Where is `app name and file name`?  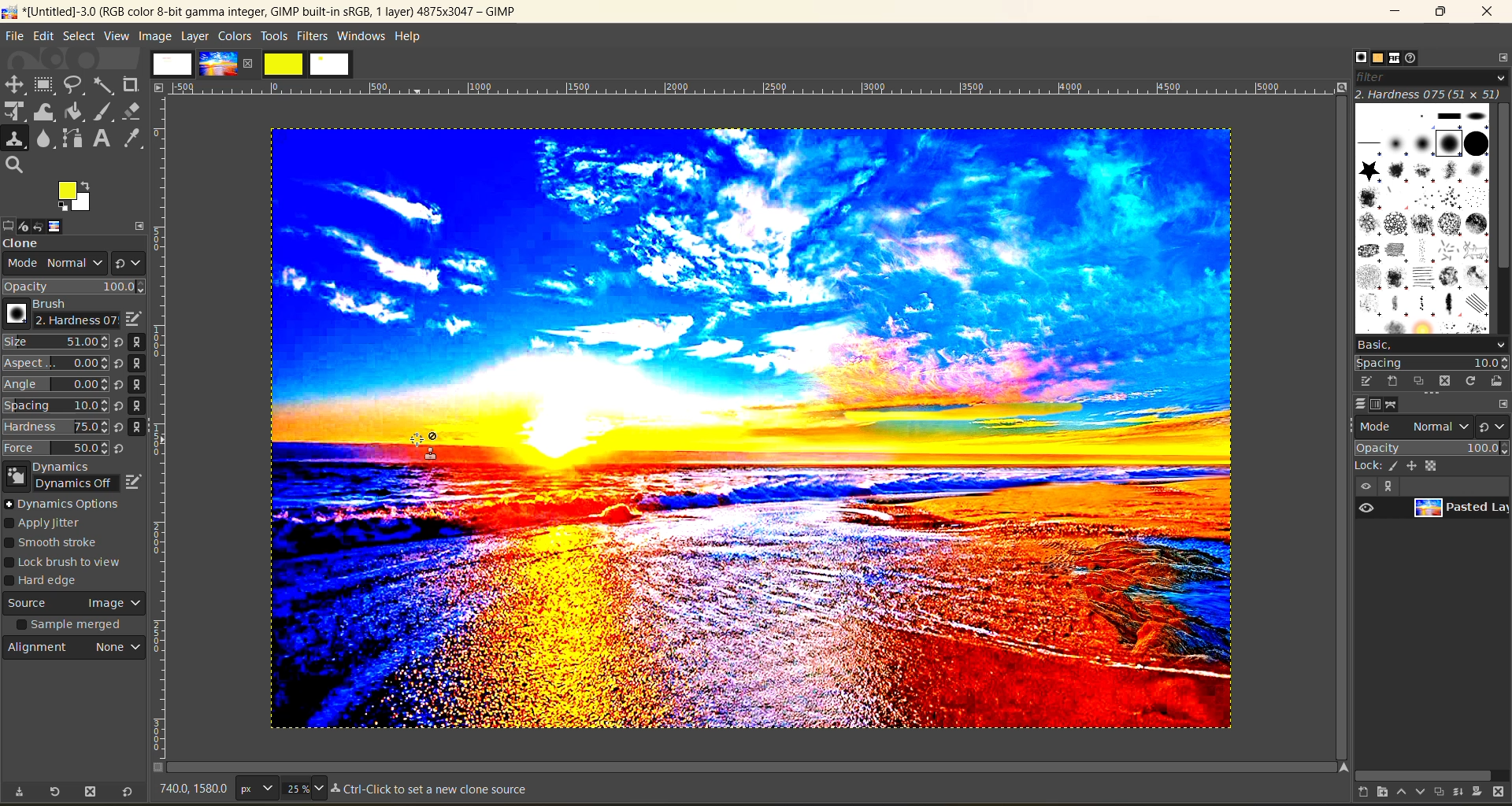 app name and file name is located at coordinates (261, 11).